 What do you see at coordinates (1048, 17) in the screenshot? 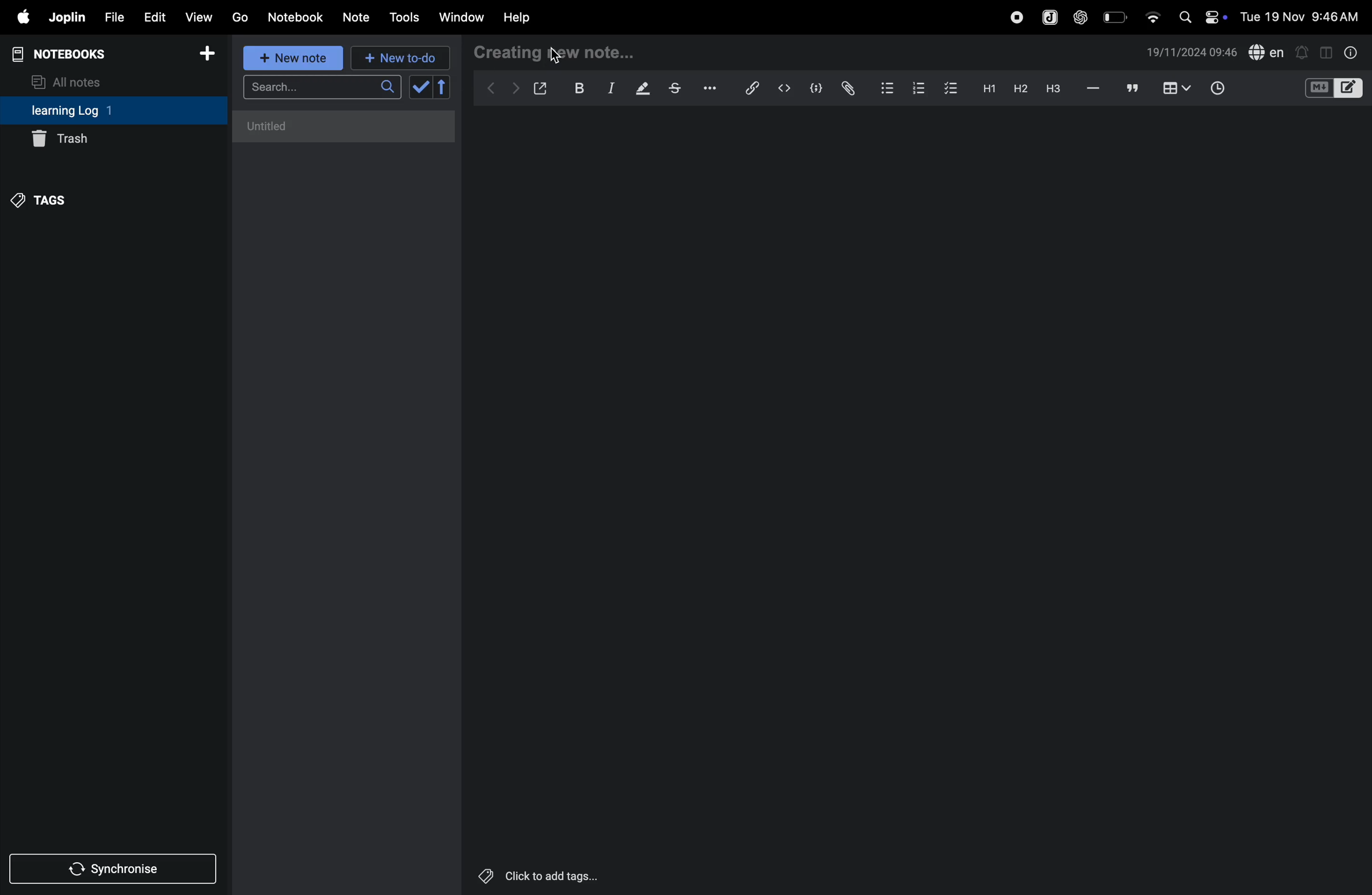
I see `joplin` at bounding box center [1048, 17].